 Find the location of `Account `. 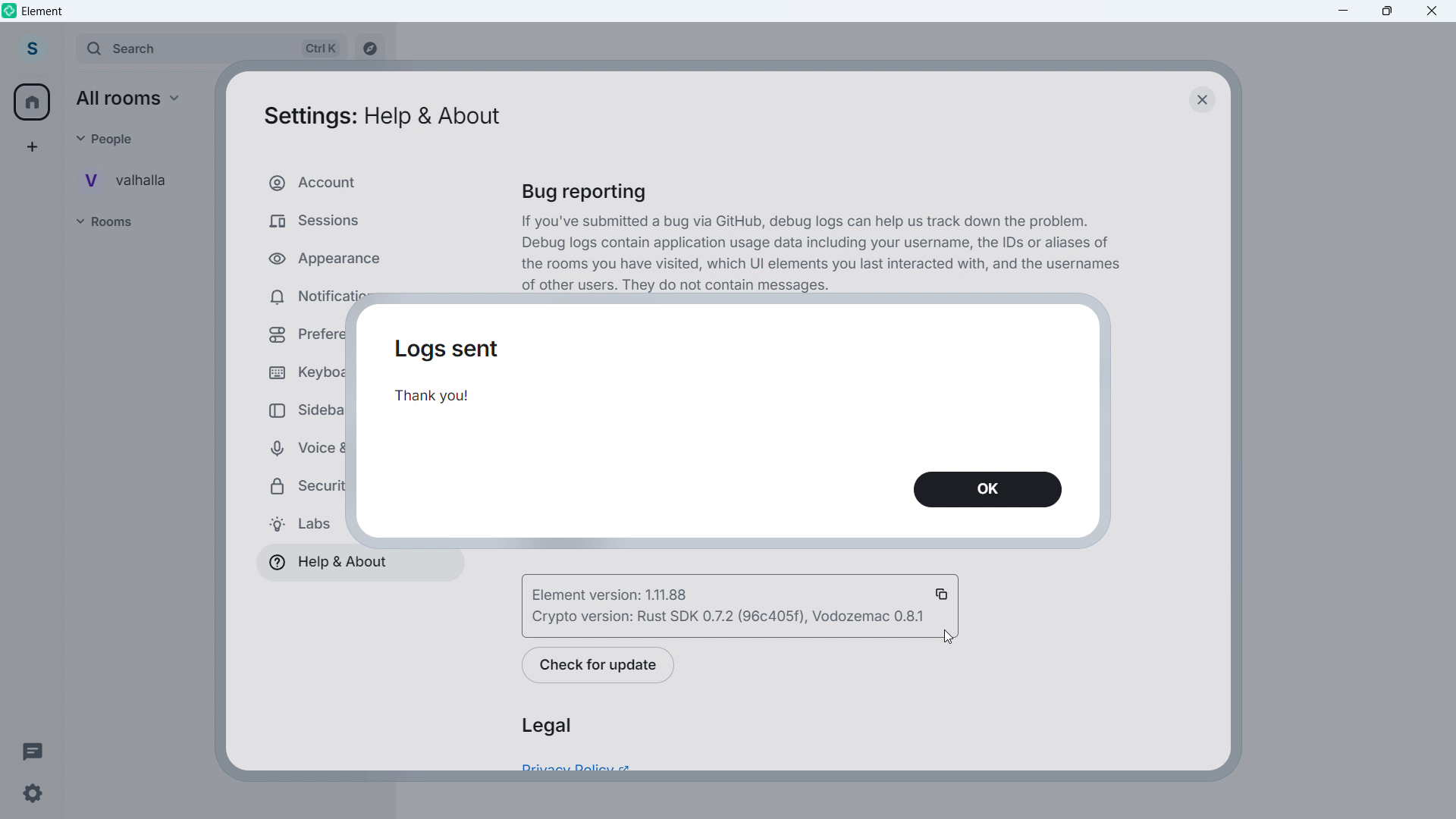

Account  is located at coordinates (31, 49).